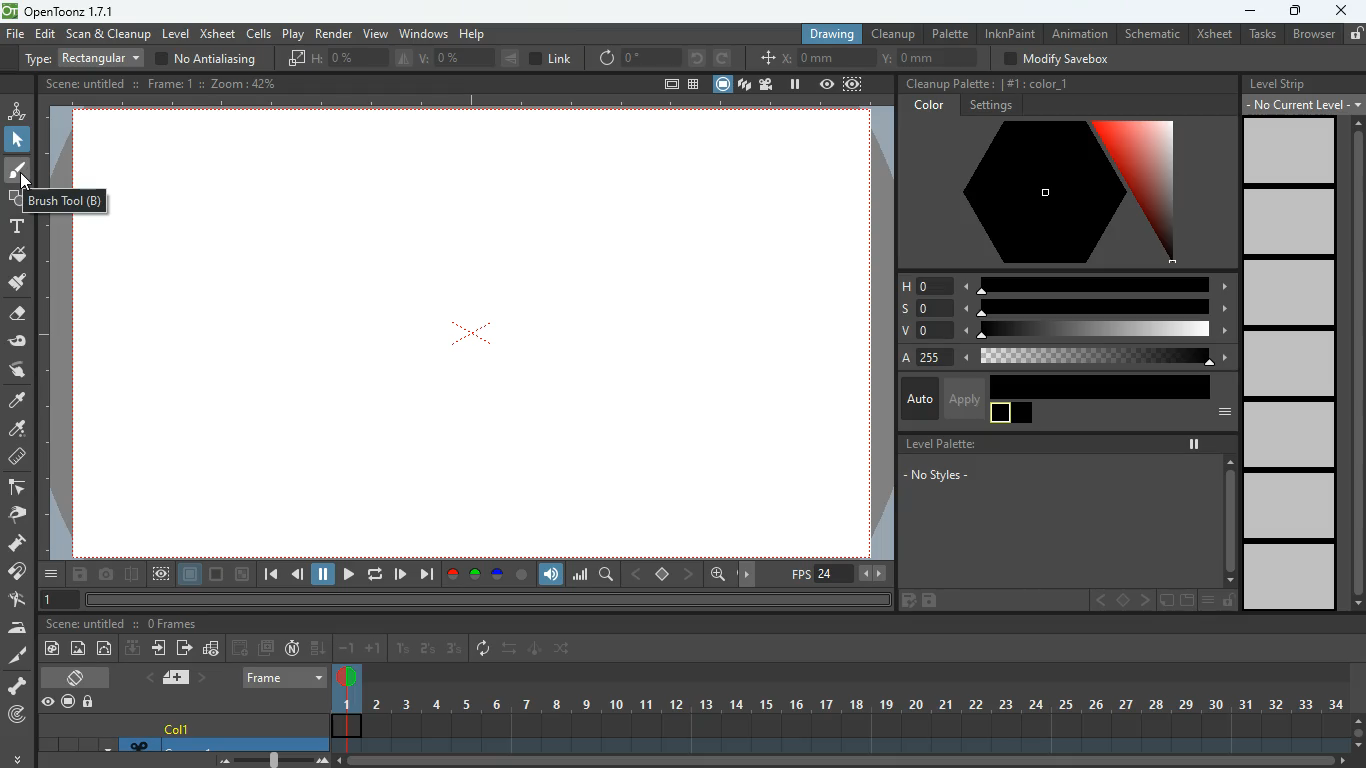 This screenshot has height=768, width=1366. What do you see at coordinates (180, 744) in the screenshot?
I see `Column` at bounding box center [180, 744].